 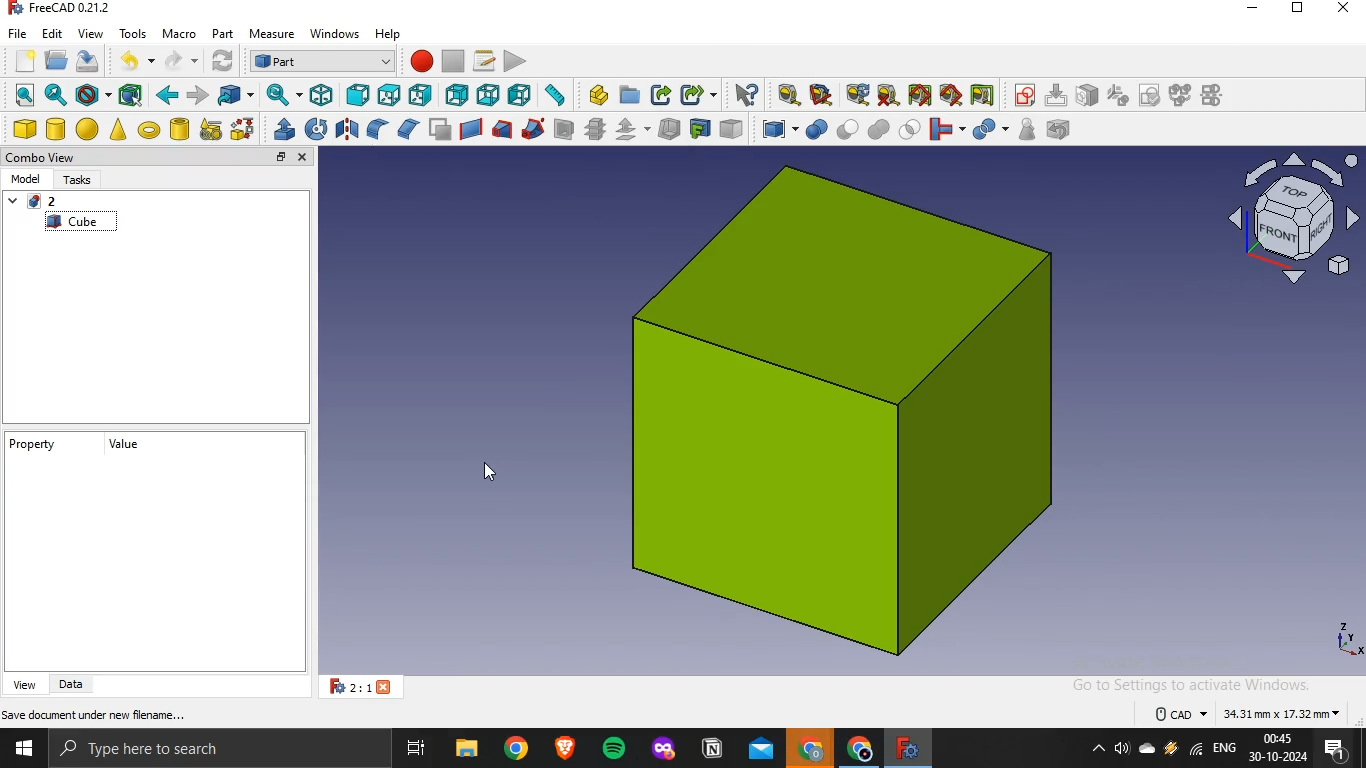 What do you see at coordinates (1061, 130) in the screenshot?
I see `defeaturing` at bounding box center [1061, 130].